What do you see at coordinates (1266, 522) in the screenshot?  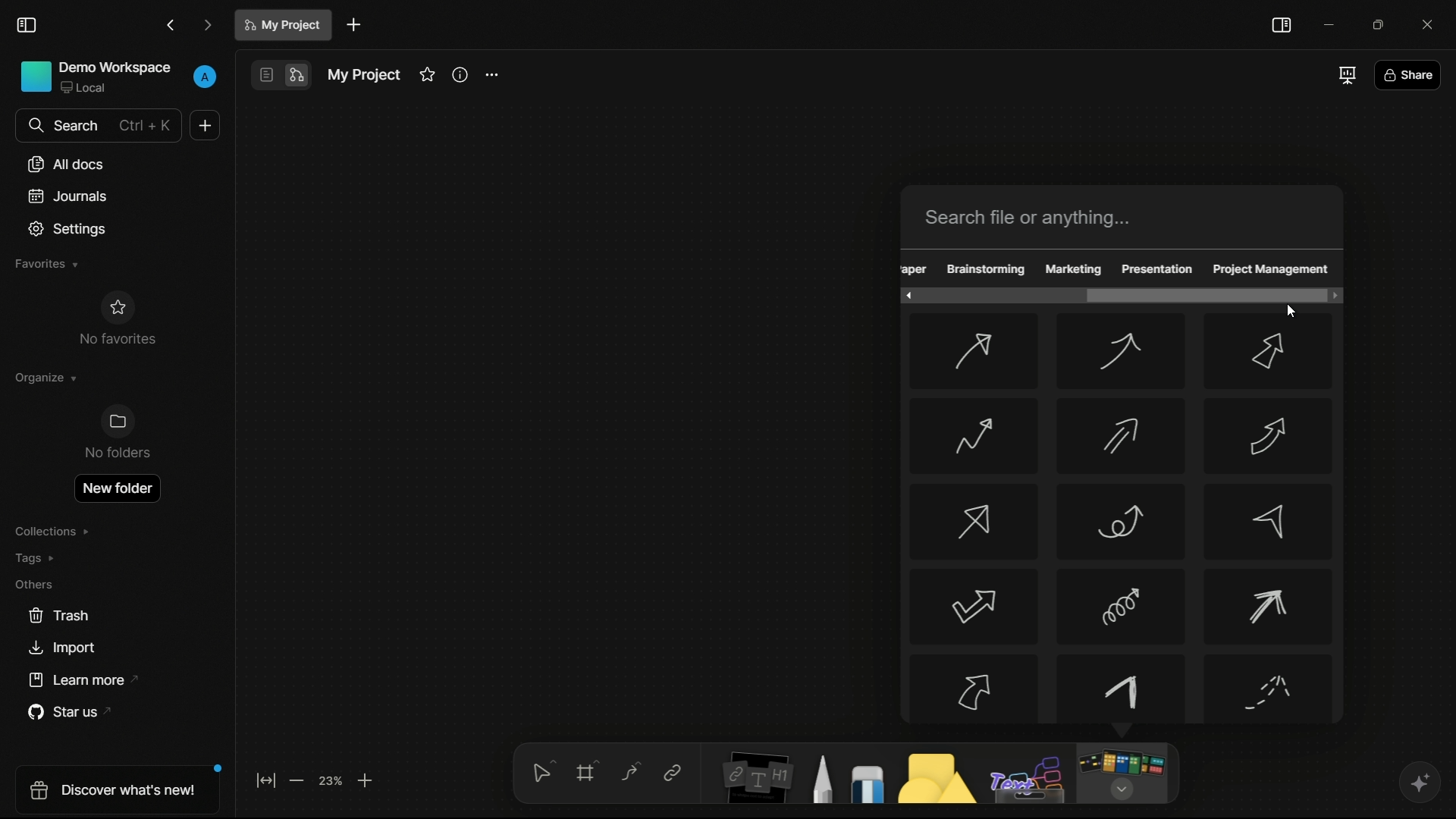 I see `arrow-9` at bounding box center [1266, 522].